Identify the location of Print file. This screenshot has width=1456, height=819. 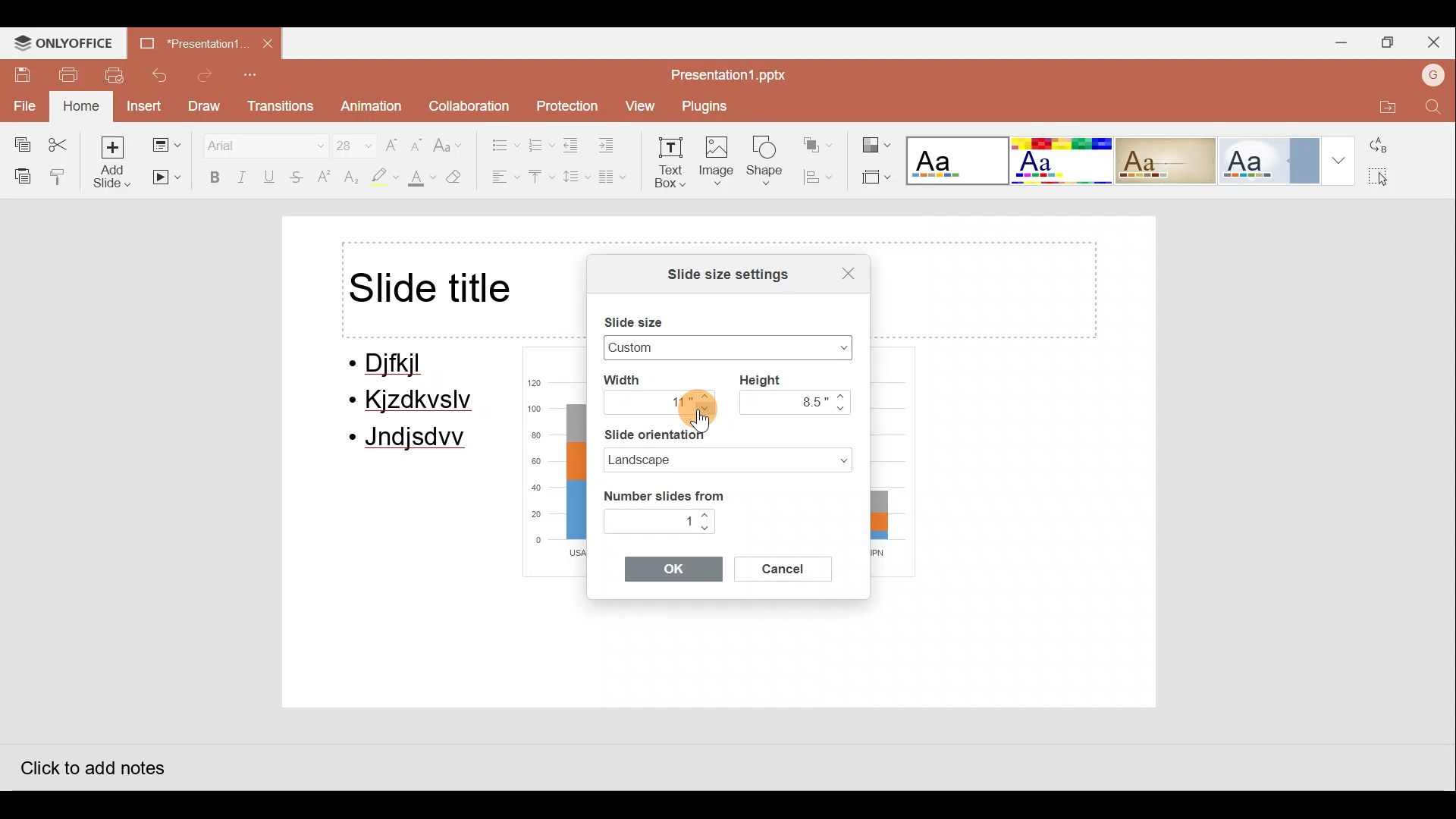
(68, 74).